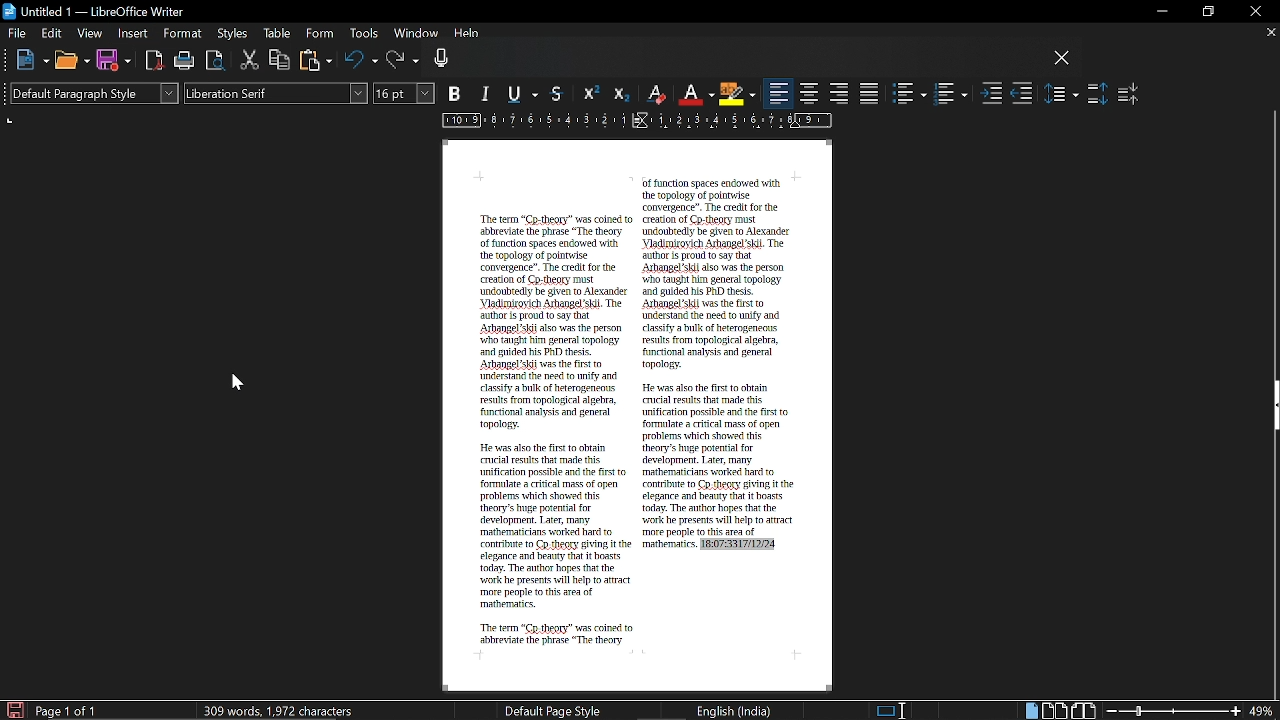 The image size is (1280, 720). Describe the element at coordinates (403, 61) in the screenshot. I see `Redo` at that location.